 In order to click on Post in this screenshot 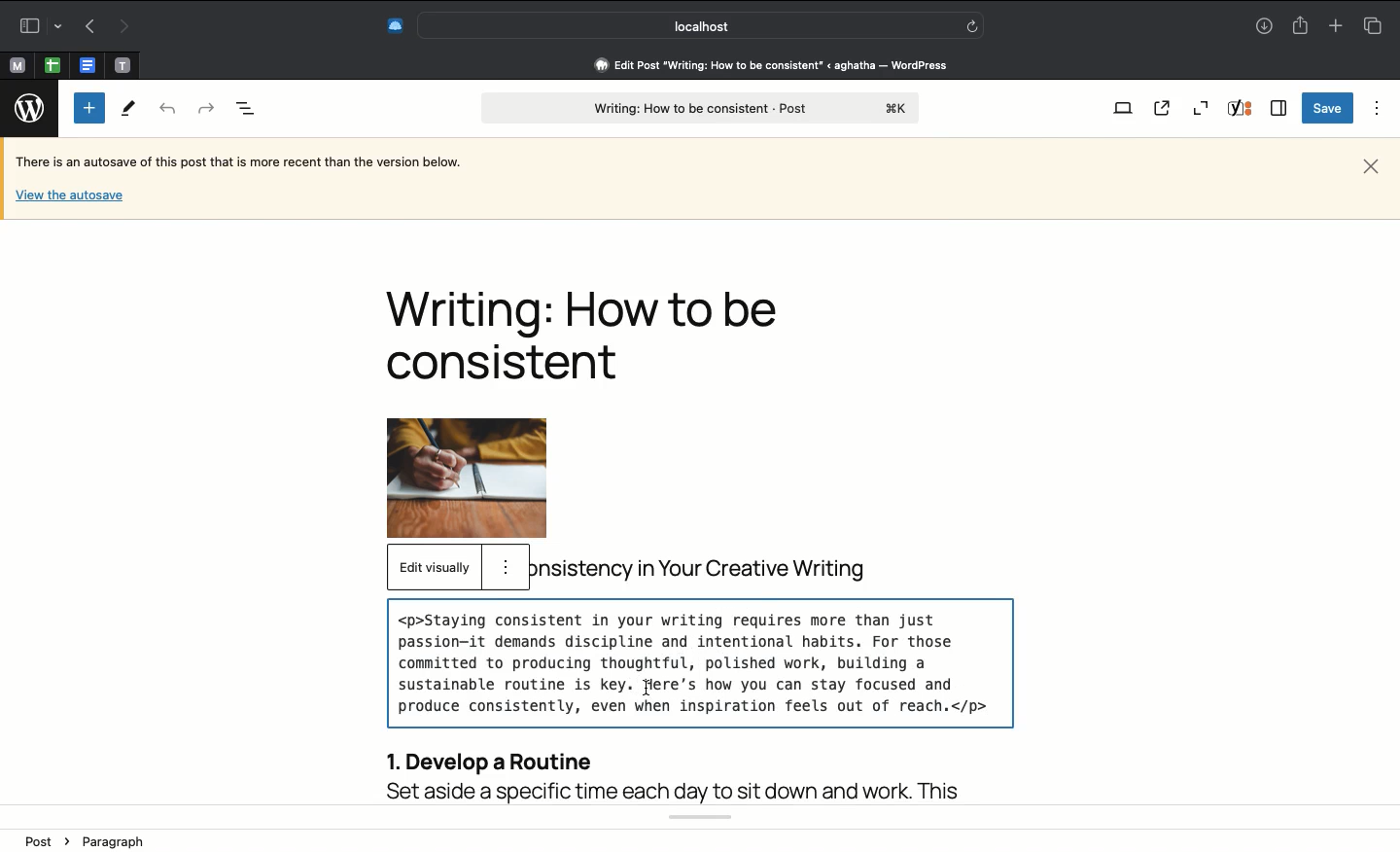, I will do `click(699, 109)`.